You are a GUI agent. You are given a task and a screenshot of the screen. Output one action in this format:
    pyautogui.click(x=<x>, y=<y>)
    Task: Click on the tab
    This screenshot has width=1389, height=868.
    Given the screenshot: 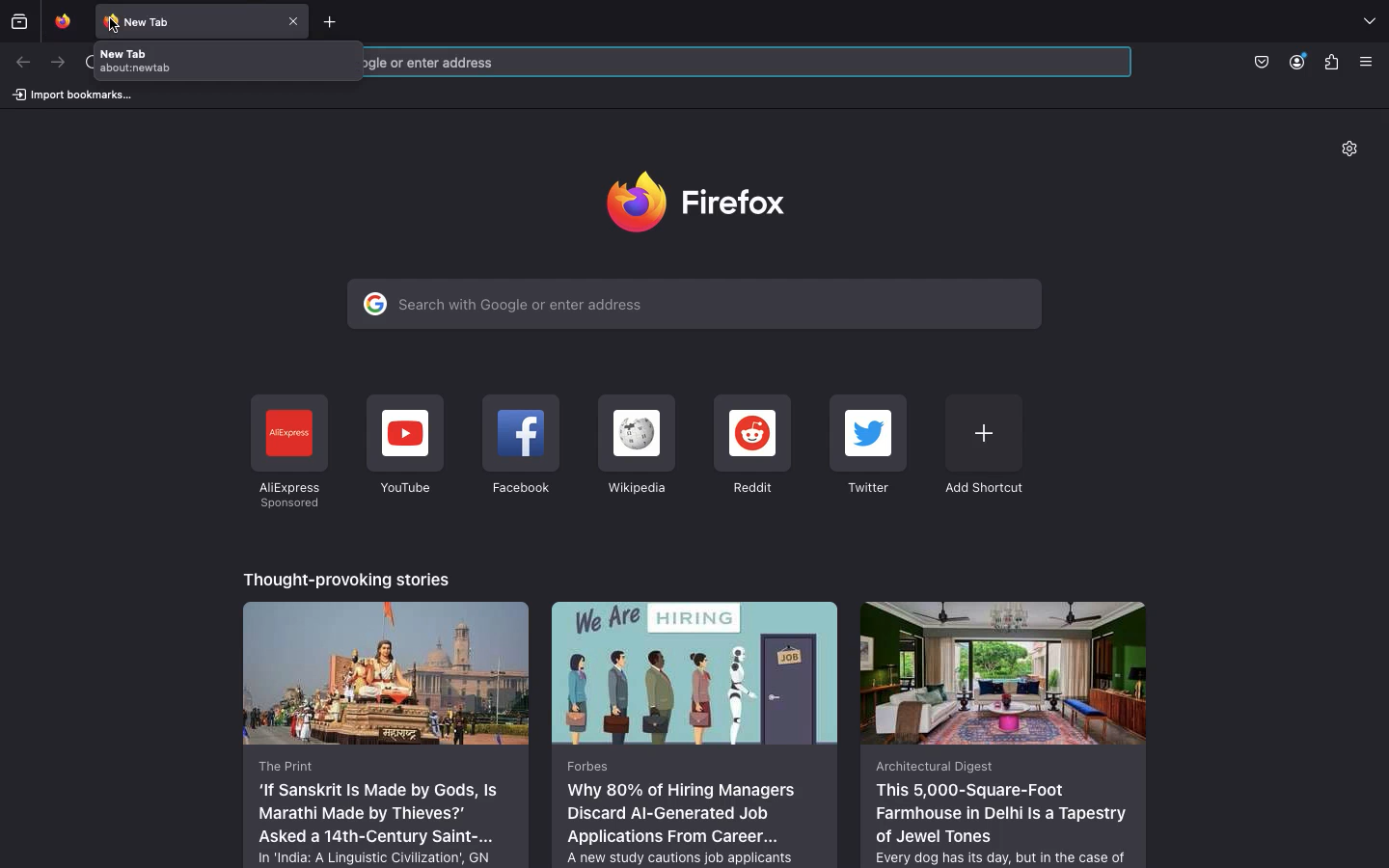 What is the action you would take?
    pyautogui.click(x=60, y=20)
    